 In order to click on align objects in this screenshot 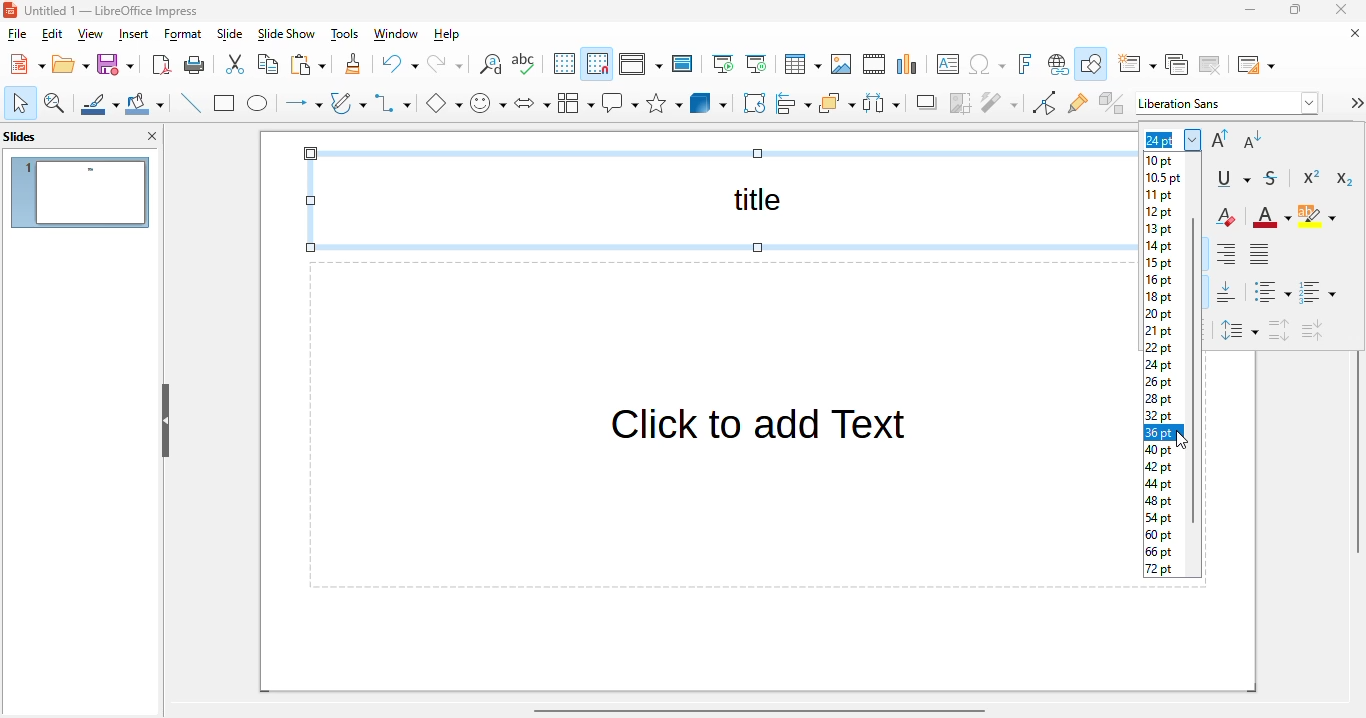, I will do `click(794, 102)`.